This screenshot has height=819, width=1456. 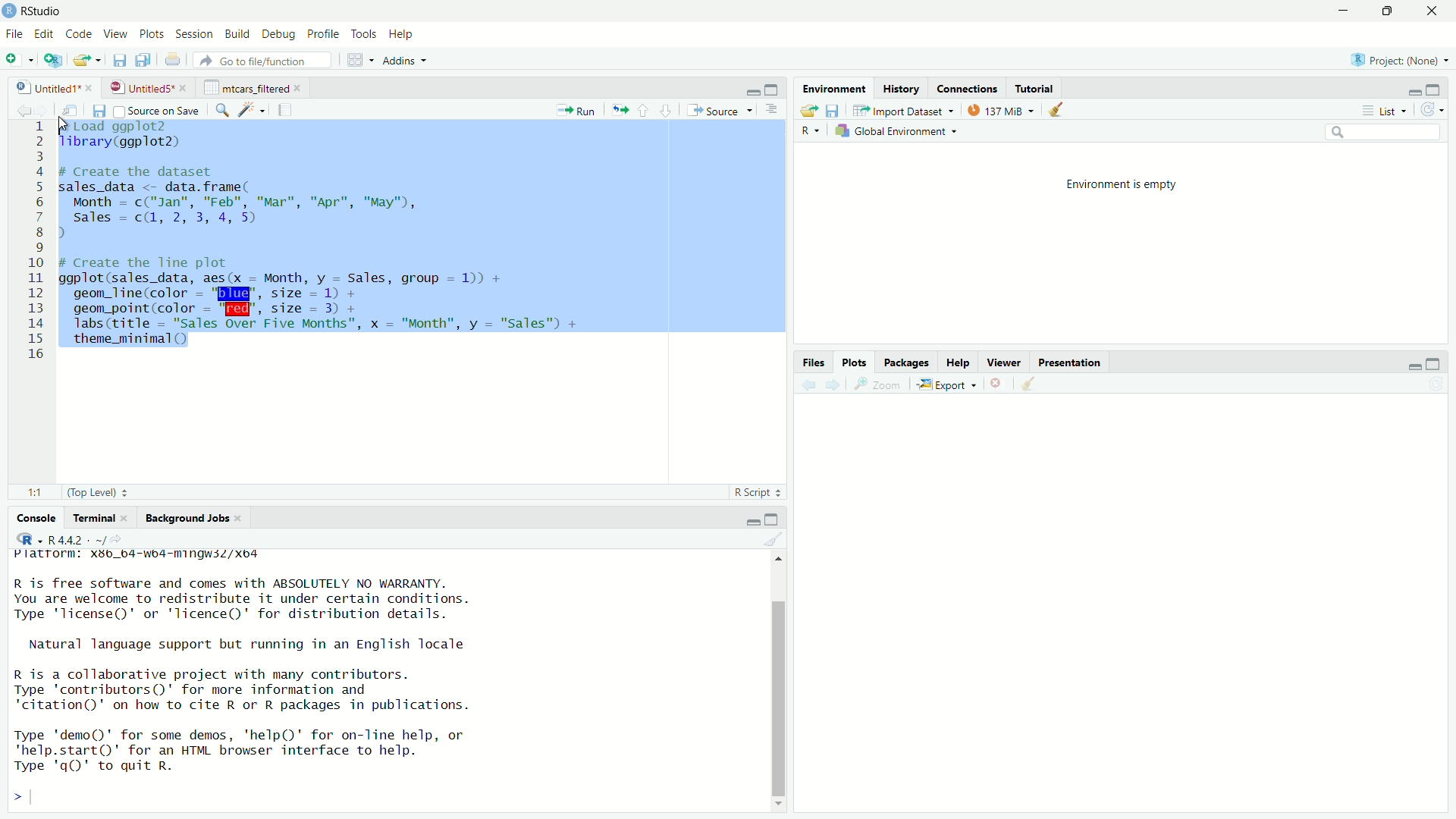 I want to click on Environment, so click(x=836, y=88).